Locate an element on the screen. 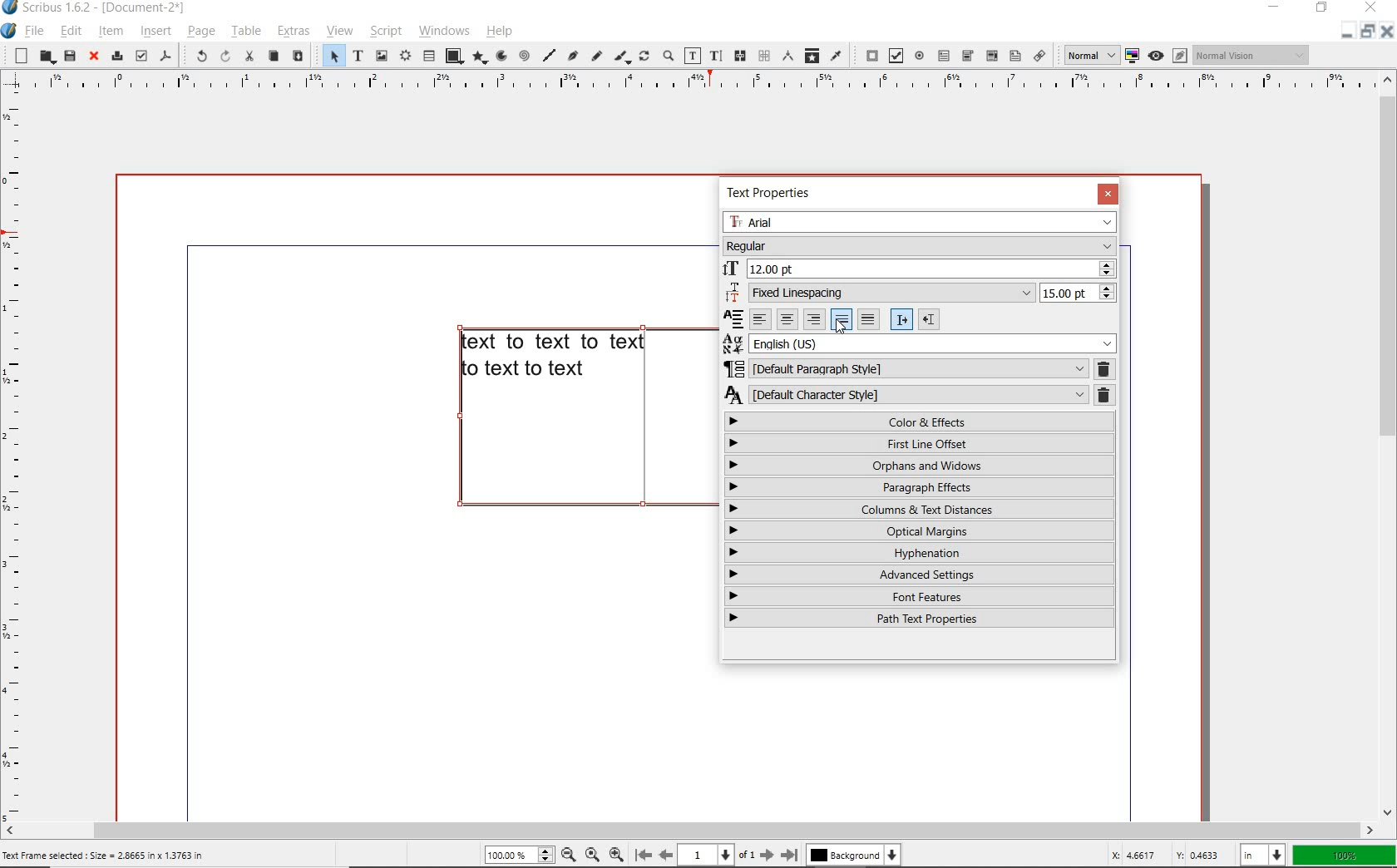  PATH TEXT PROPERTIES is located at coordinates (924, 618).